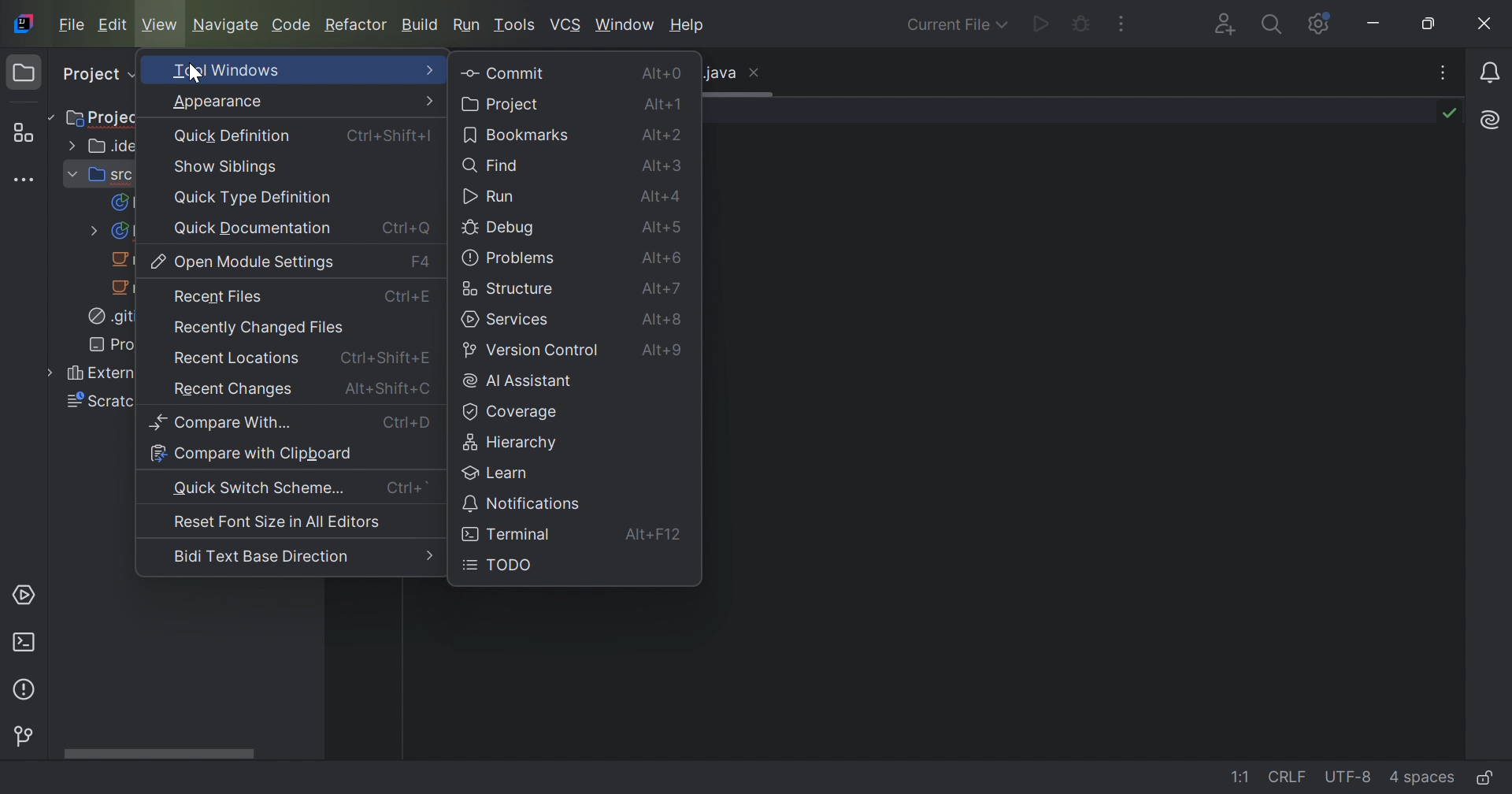 The width and height of the screenshot is (1512, 794). Describe the element at coordinates (228, 72) in the screenshot. I see `Tool Windows` at that location.